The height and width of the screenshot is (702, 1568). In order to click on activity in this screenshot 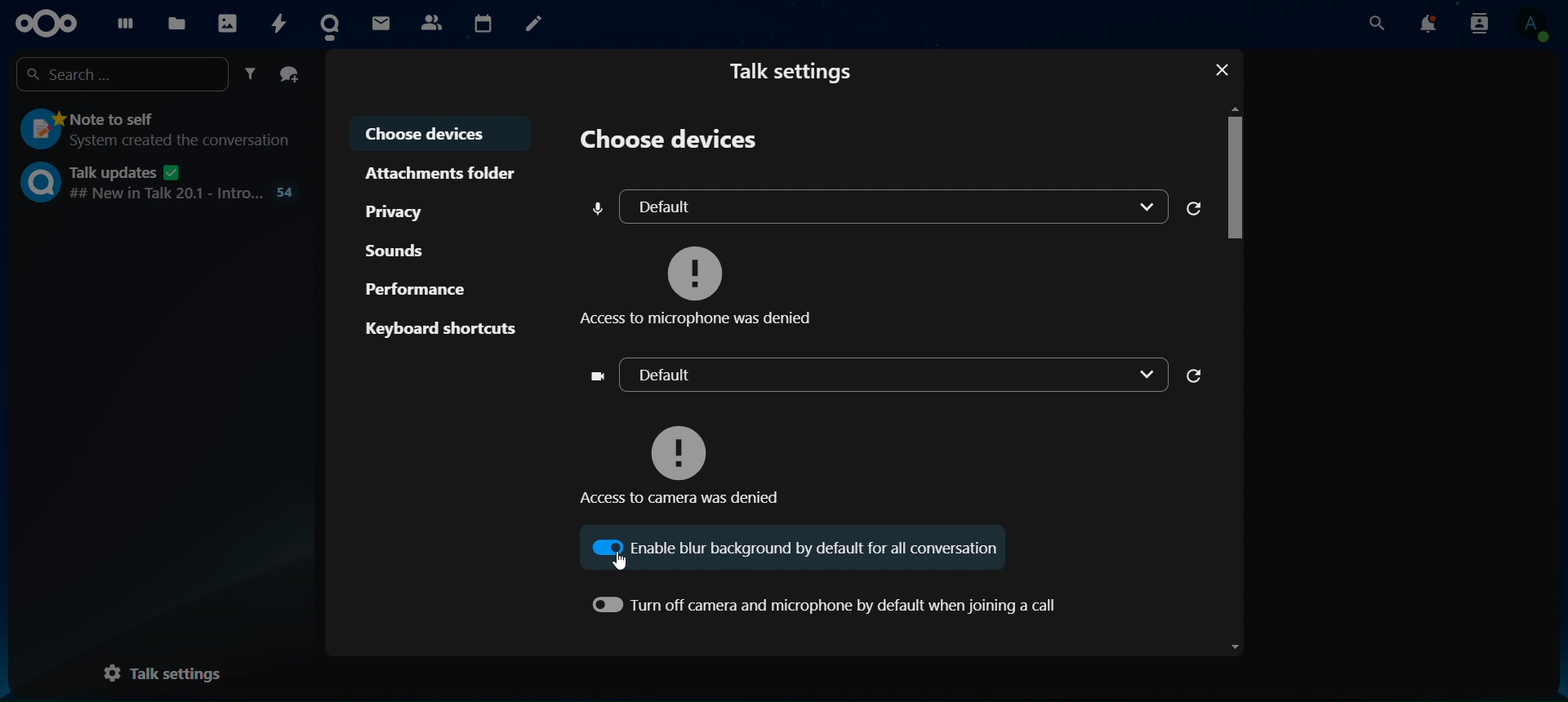, I will do `click(283, 24)`.